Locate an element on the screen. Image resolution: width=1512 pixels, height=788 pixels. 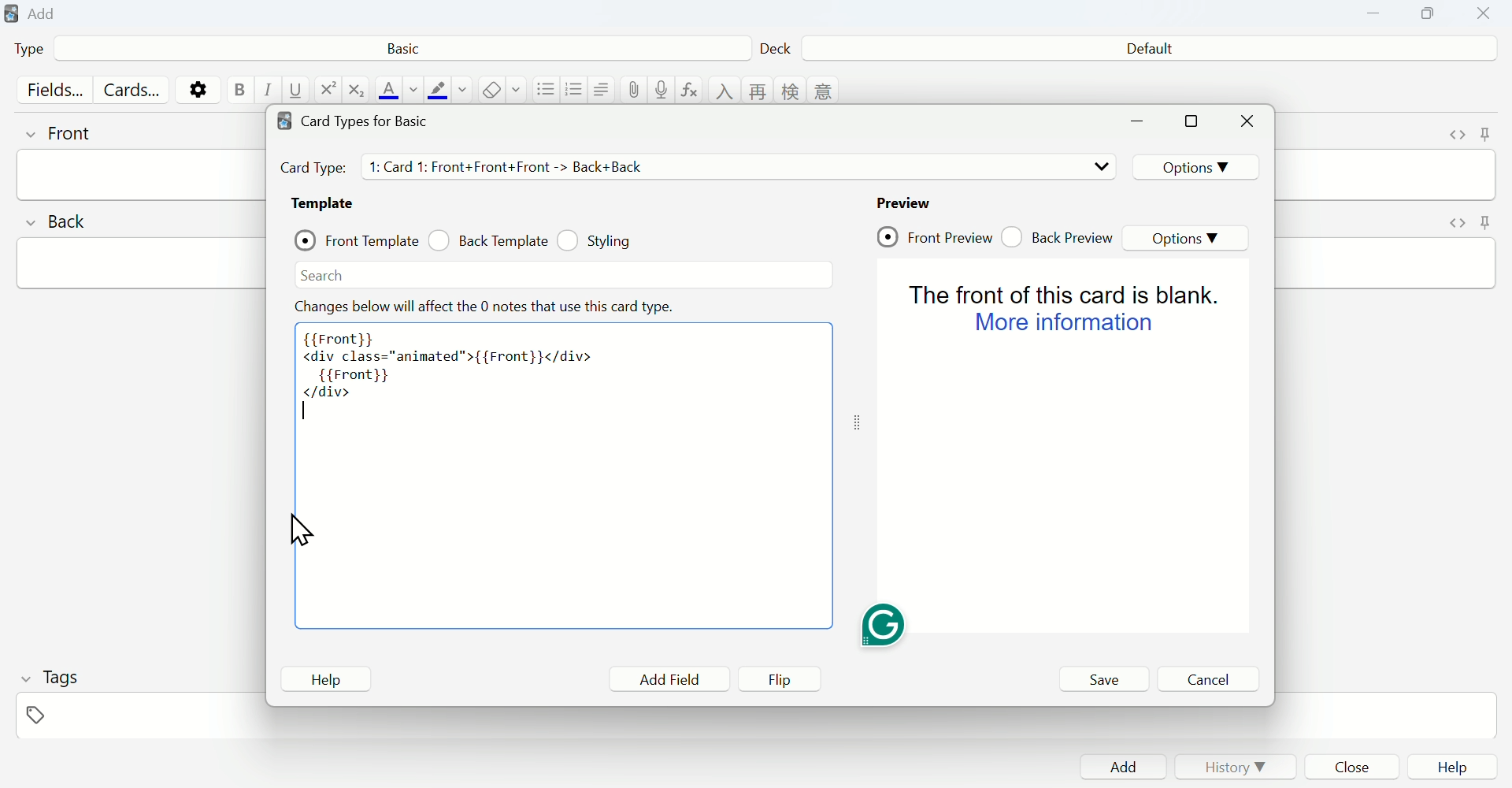
bold text is located at coordinates (239, 90).